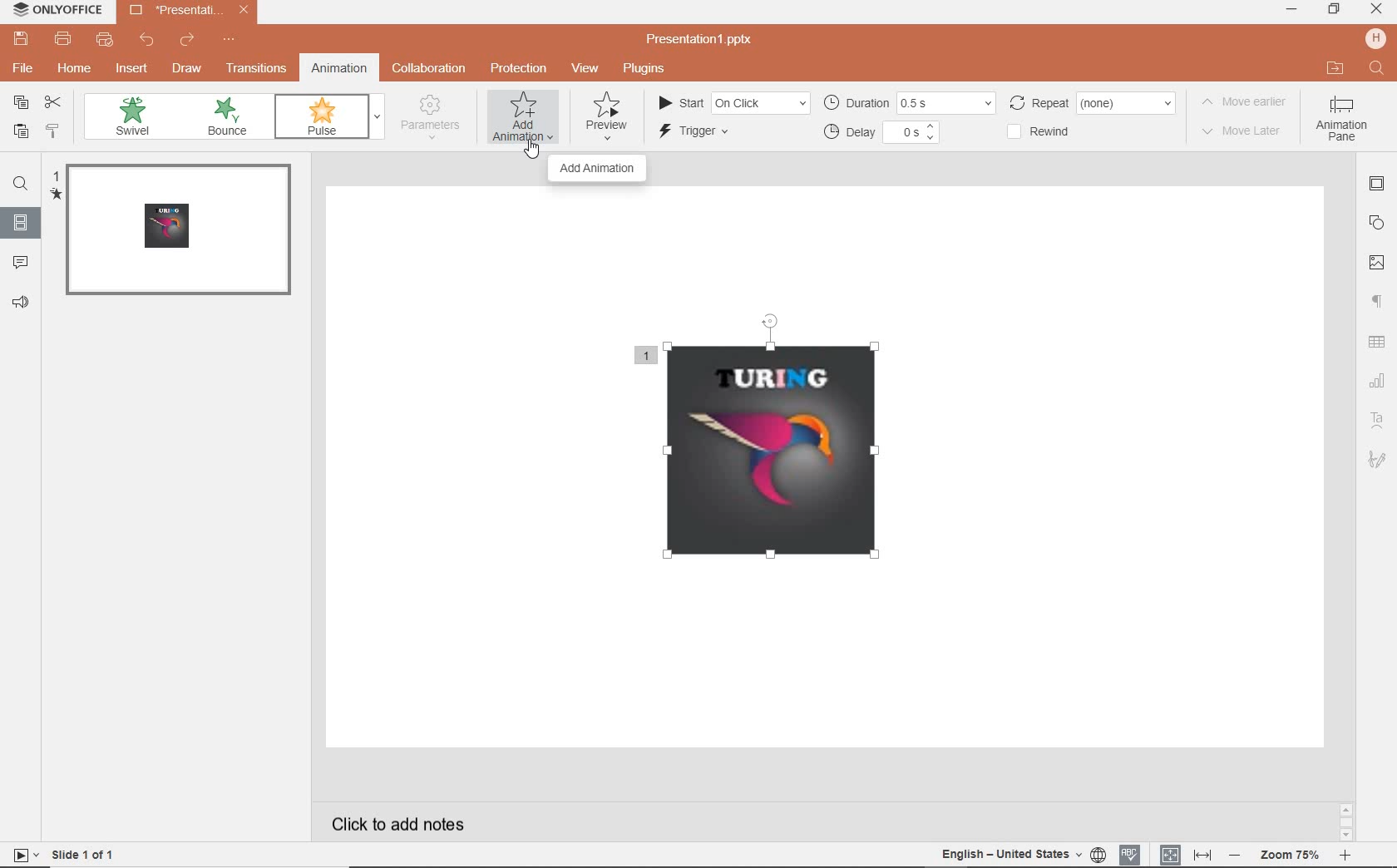  What do you see at coordinates (189, 9) in the screenshot?
I see `presentation name` at bounding box center [189, 9].